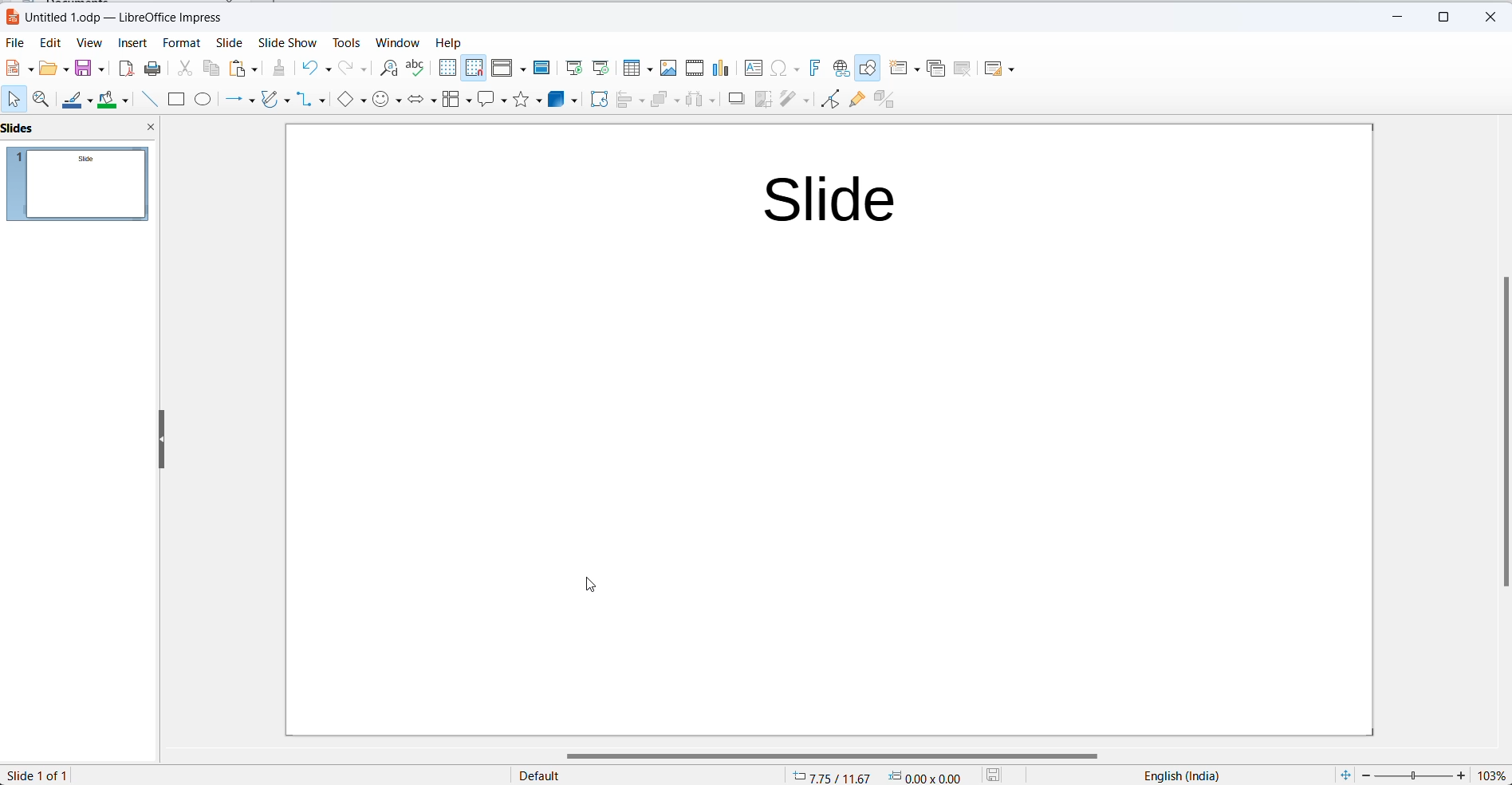  What do you see at coordinates (541, 69) in the screenshot?
I see `Master slide` at bounding box center [541, 69].